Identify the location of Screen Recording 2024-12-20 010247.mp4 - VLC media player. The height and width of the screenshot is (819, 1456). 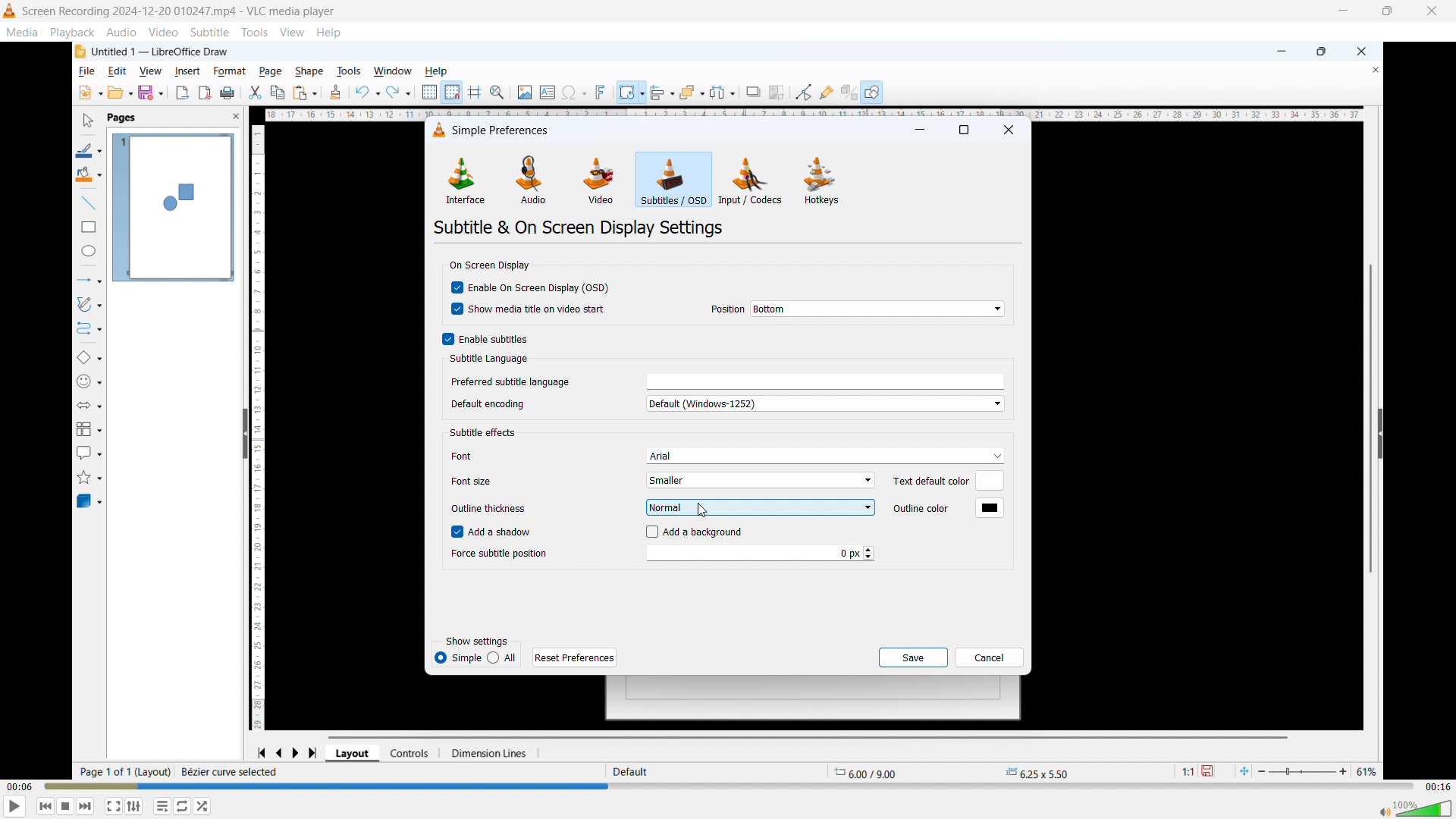
(180, 12).